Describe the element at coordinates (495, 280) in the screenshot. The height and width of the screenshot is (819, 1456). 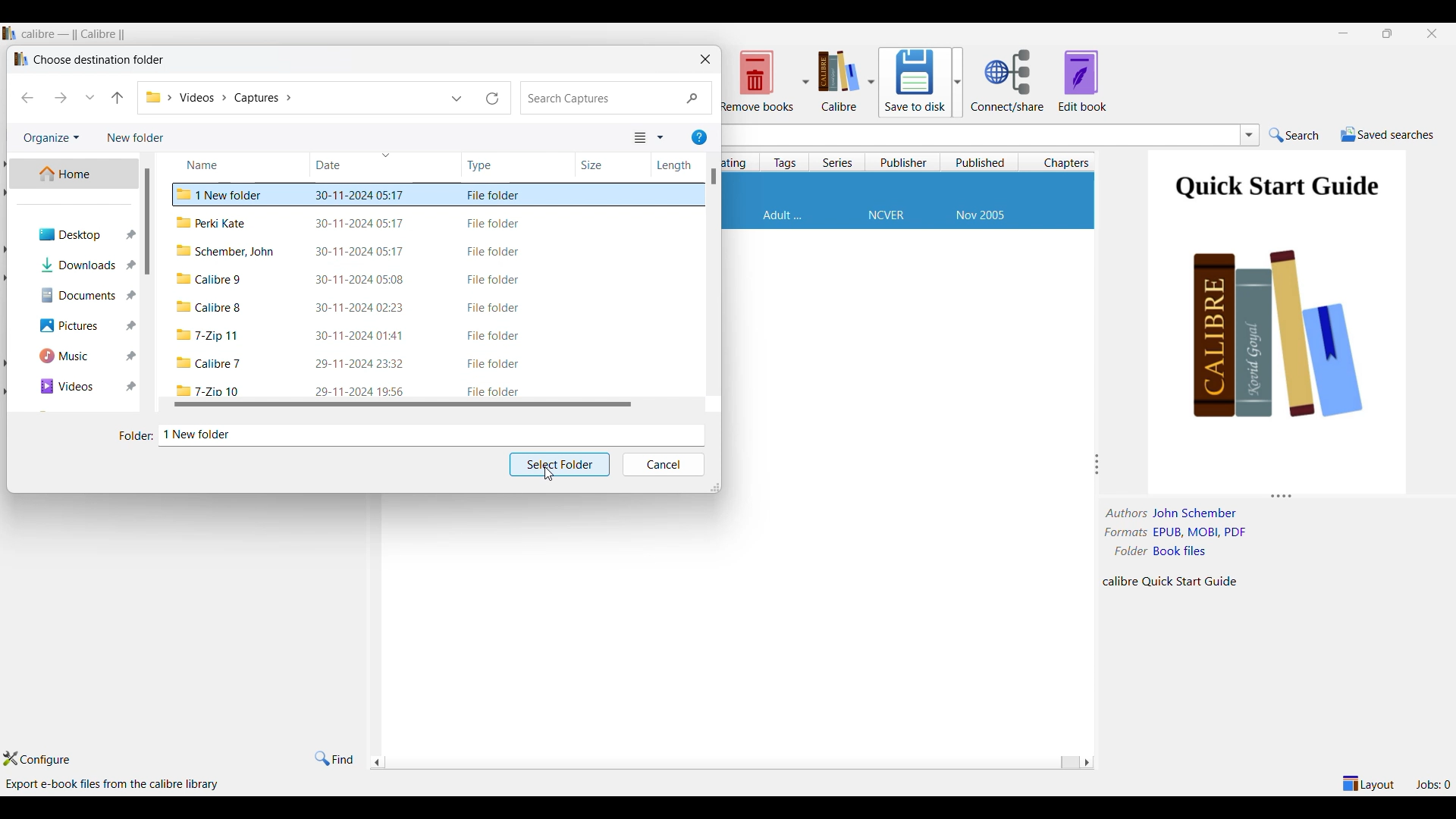
I see `file folder` at that location.